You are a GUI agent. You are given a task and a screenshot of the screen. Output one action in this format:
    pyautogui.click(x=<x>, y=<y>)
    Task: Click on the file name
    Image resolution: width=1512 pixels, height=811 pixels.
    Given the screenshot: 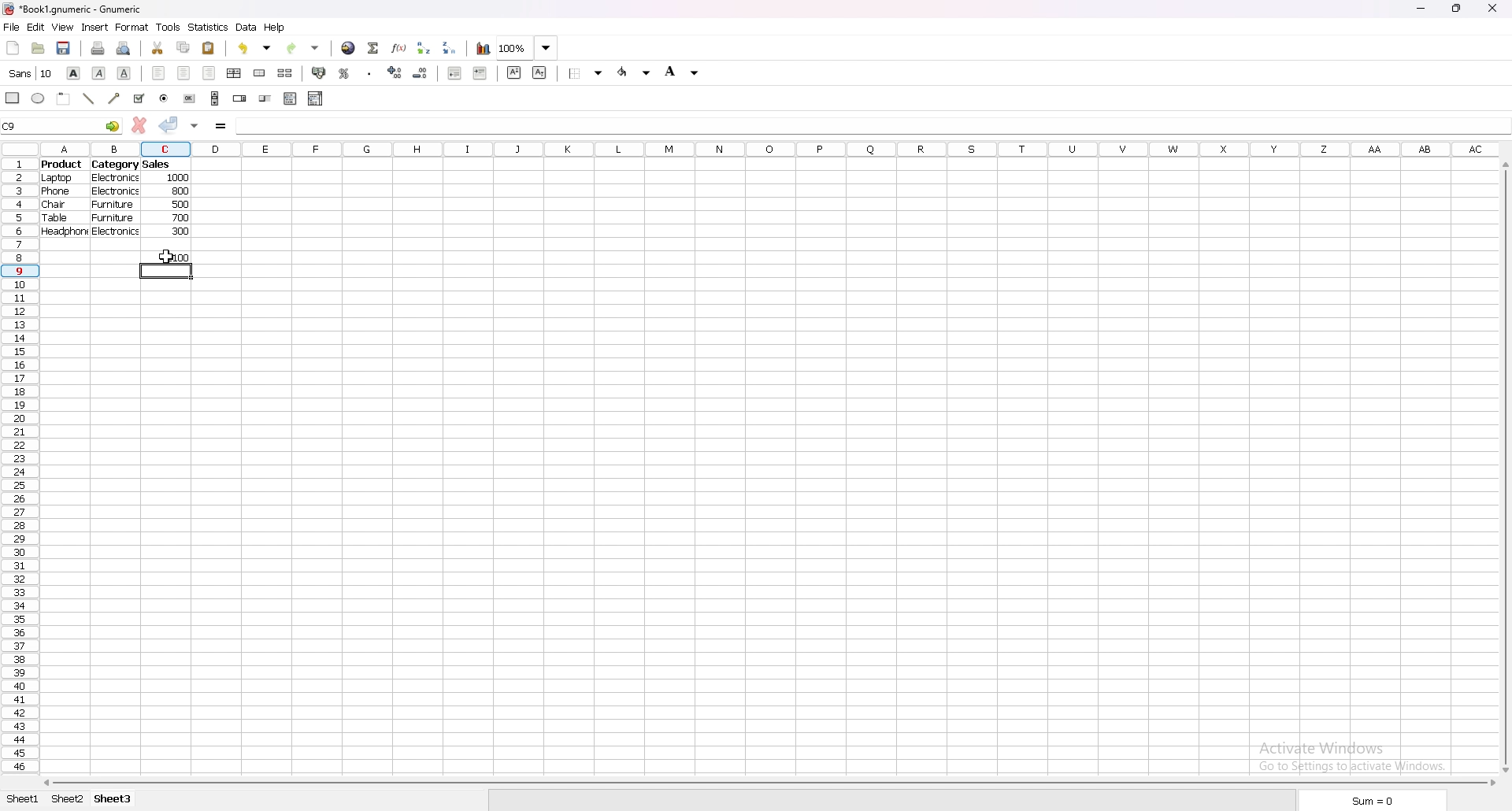 What is the action you would take?
    pyautogui.click(x=73, y=9)
    